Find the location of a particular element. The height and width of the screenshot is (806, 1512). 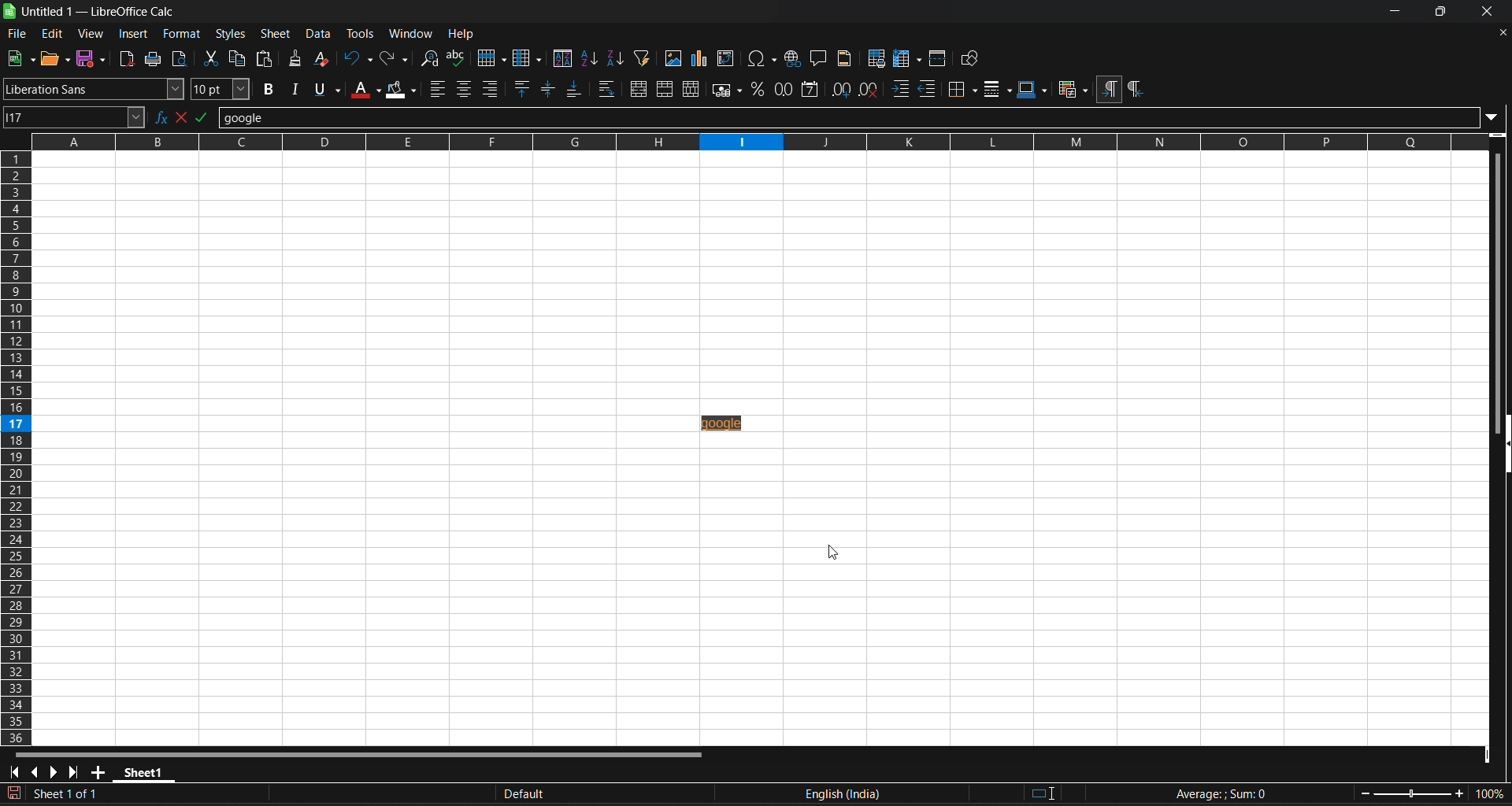

find and replace is located at coordinates (431, 59).